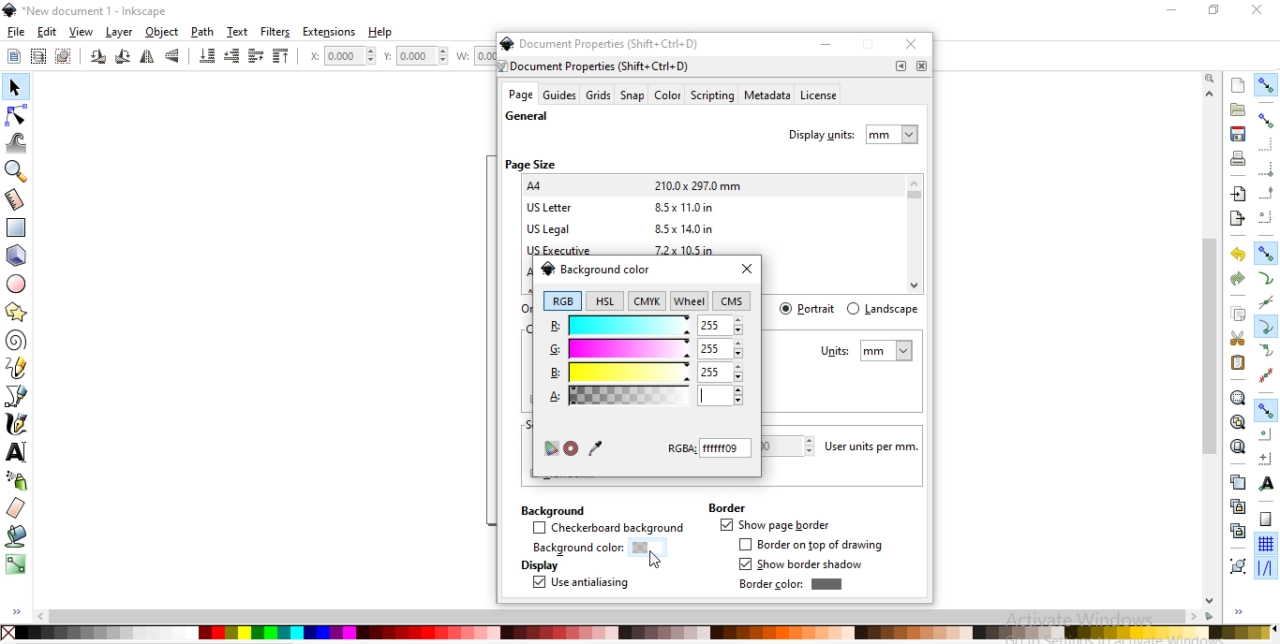 Image resolution: width=1280 pixels, height=644 pixels. What do you see at coordinates (16, 32) in the screenshot?
I see `file` at bounding box center [16, 32].